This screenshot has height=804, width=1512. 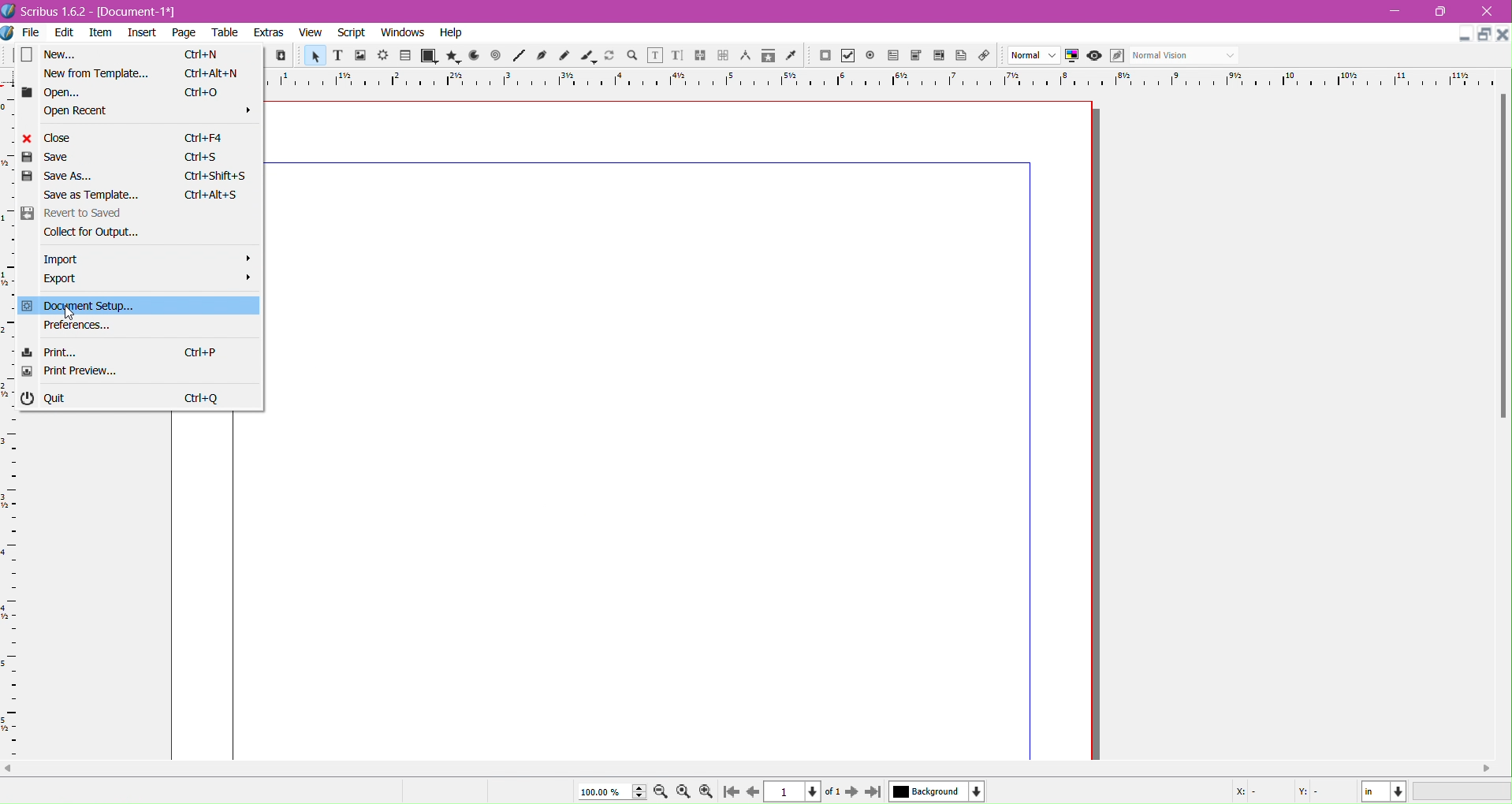 What do you see at coordinates (202, 157) in the screenshot?
I see `keyboard shortcut` at bounding box center [202, 157].